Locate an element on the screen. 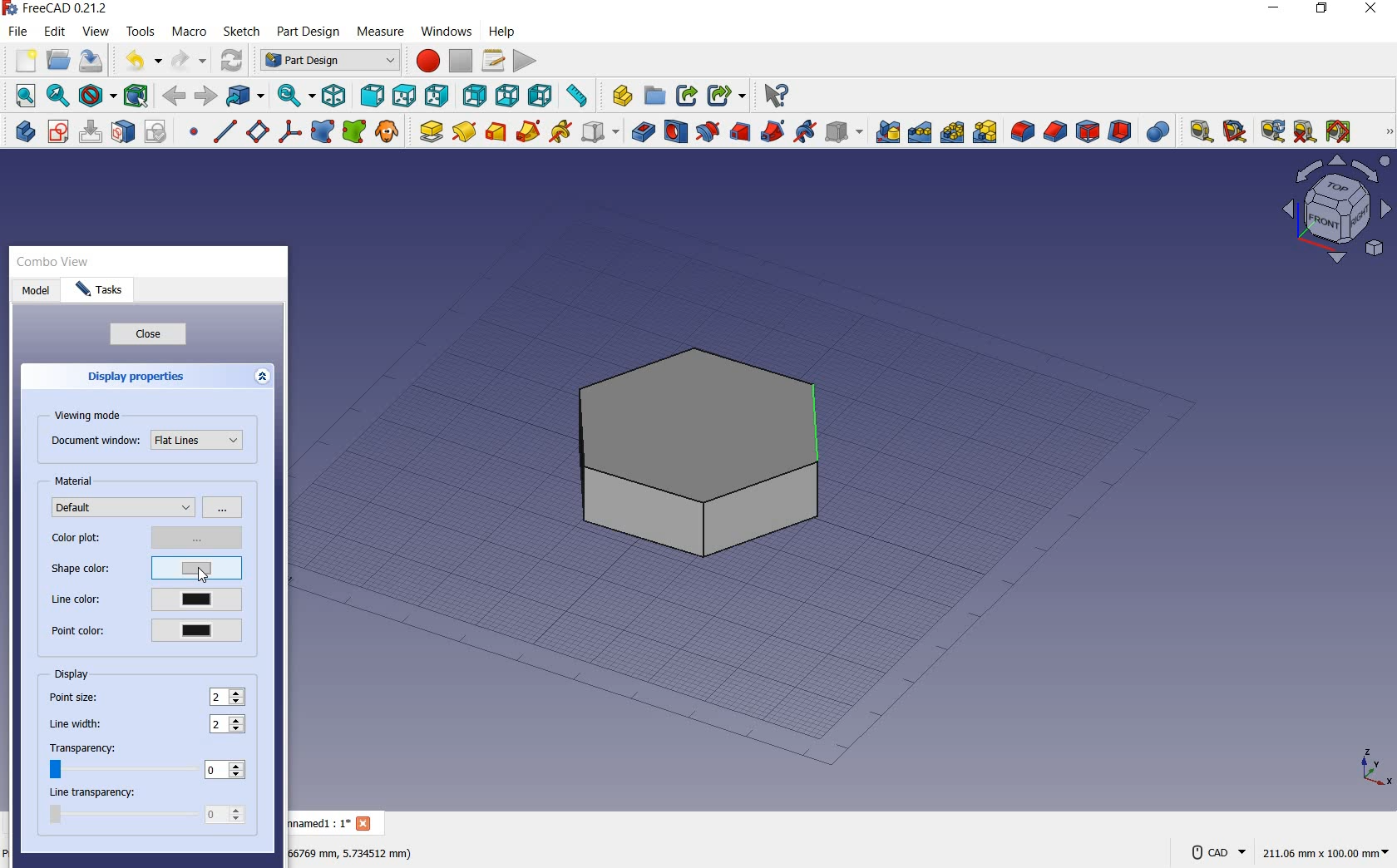 This screenshot has width=1397, height=868. create an additive primitive is located at coordinates (600, 131).